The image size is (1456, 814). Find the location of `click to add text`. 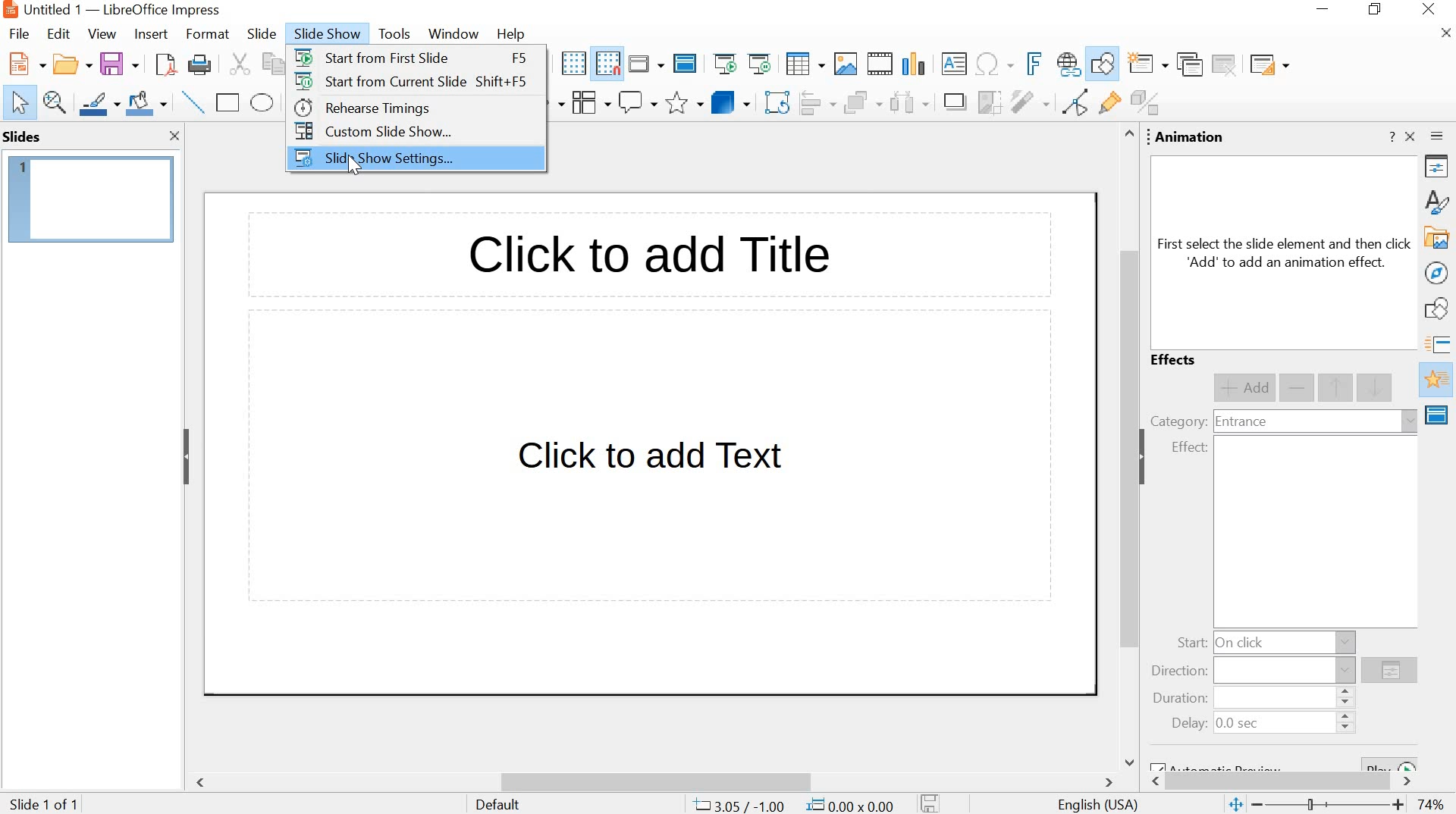

click to add text is located at coordinates (653, 462).